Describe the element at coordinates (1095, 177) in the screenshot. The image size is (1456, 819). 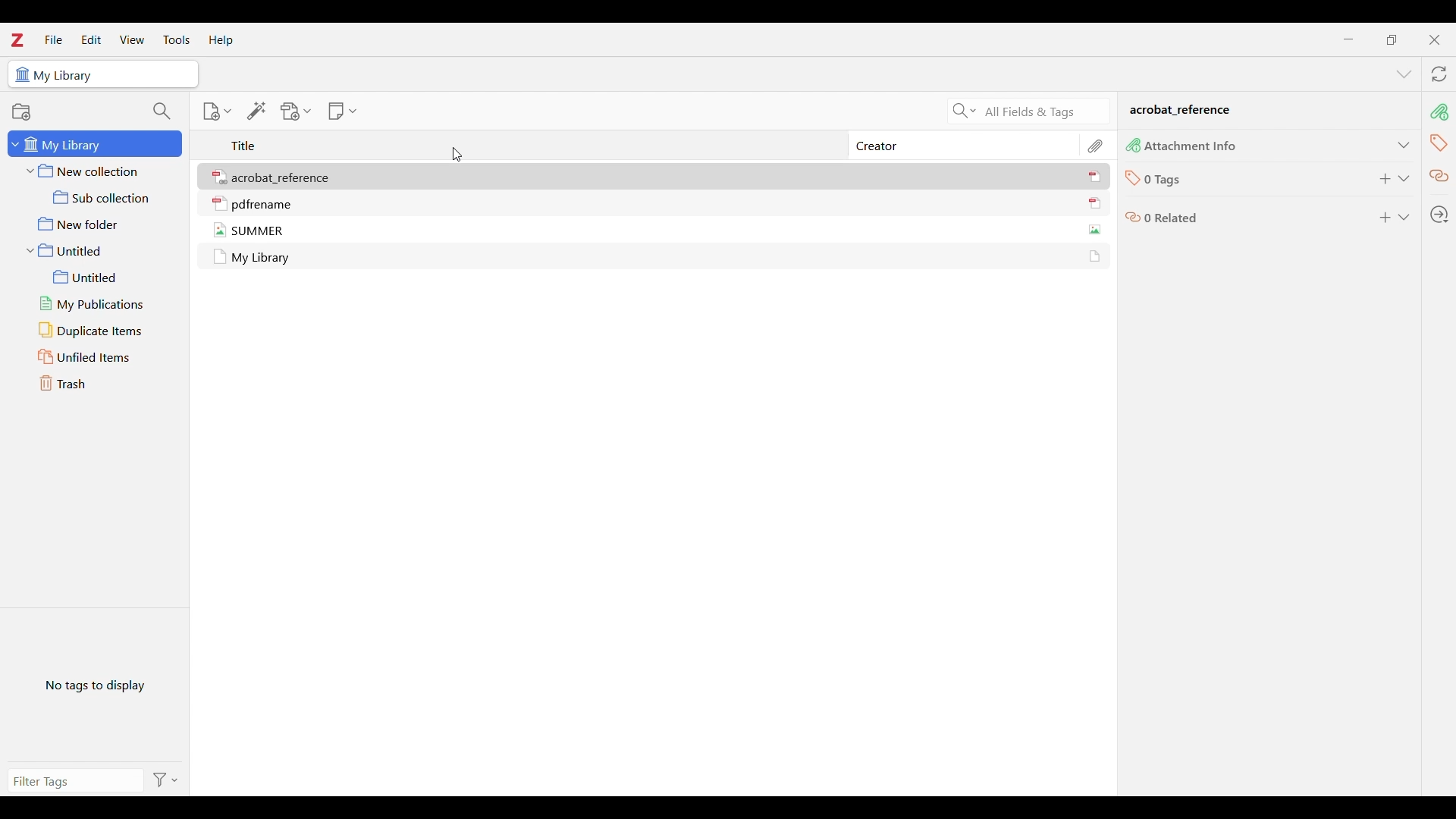
I see `icon` at that location.